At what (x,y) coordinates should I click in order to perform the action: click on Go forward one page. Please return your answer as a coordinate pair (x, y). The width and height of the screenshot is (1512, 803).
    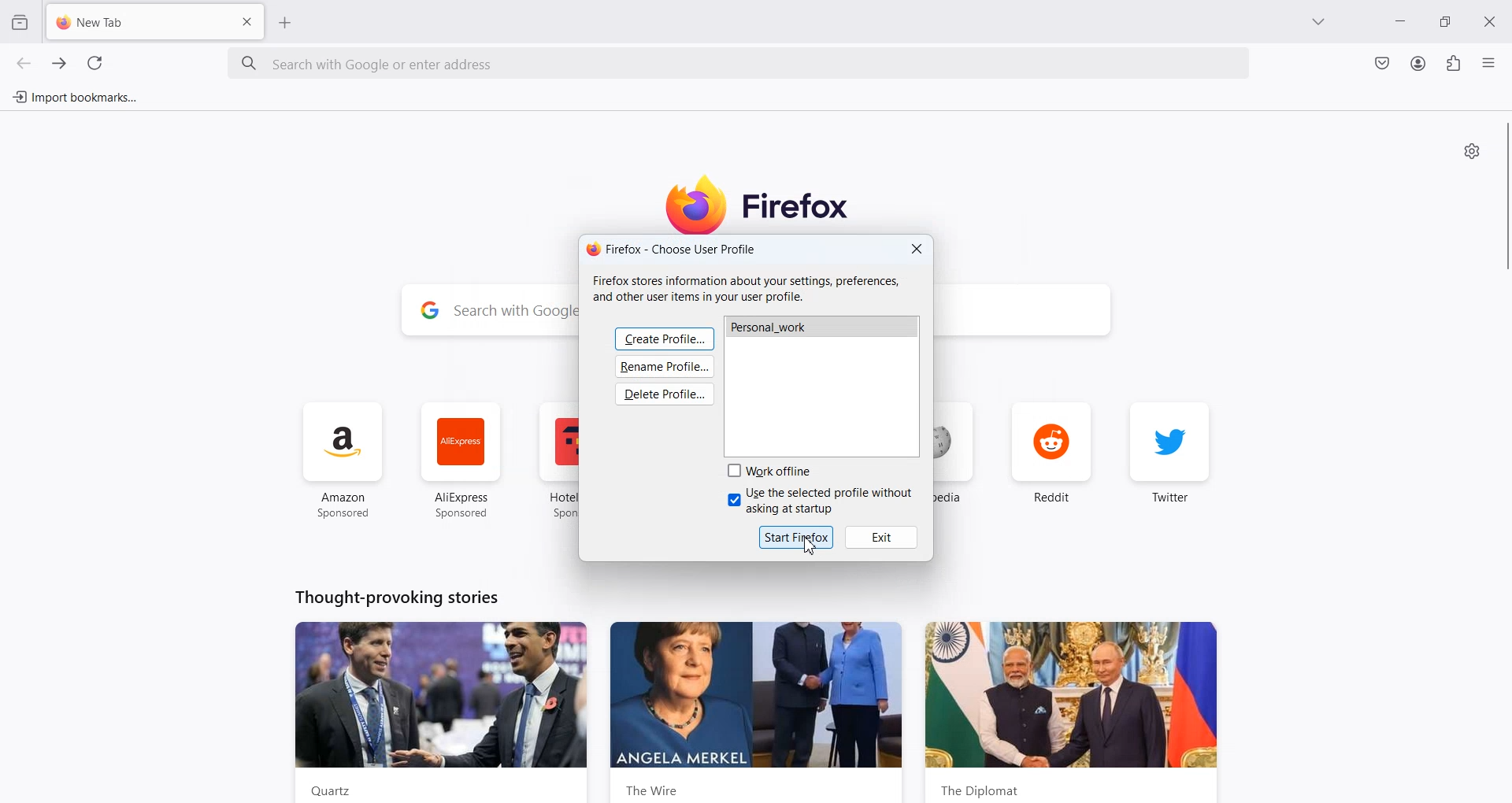
    Looking at the image, I should click on (57, 63).